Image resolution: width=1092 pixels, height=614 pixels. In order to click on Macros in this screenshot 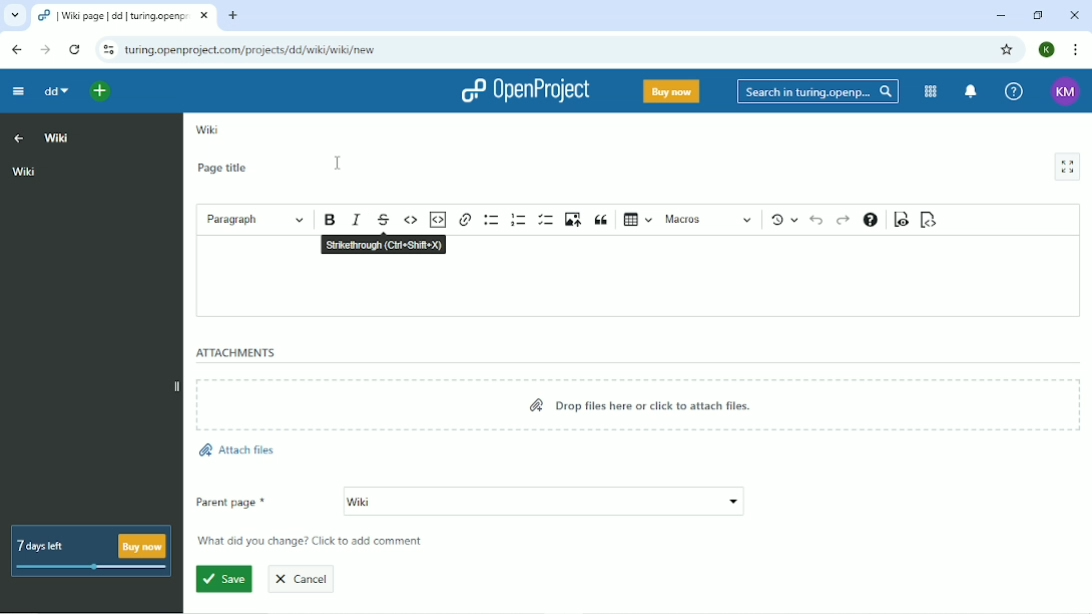, I will do `click(712, 221)`.